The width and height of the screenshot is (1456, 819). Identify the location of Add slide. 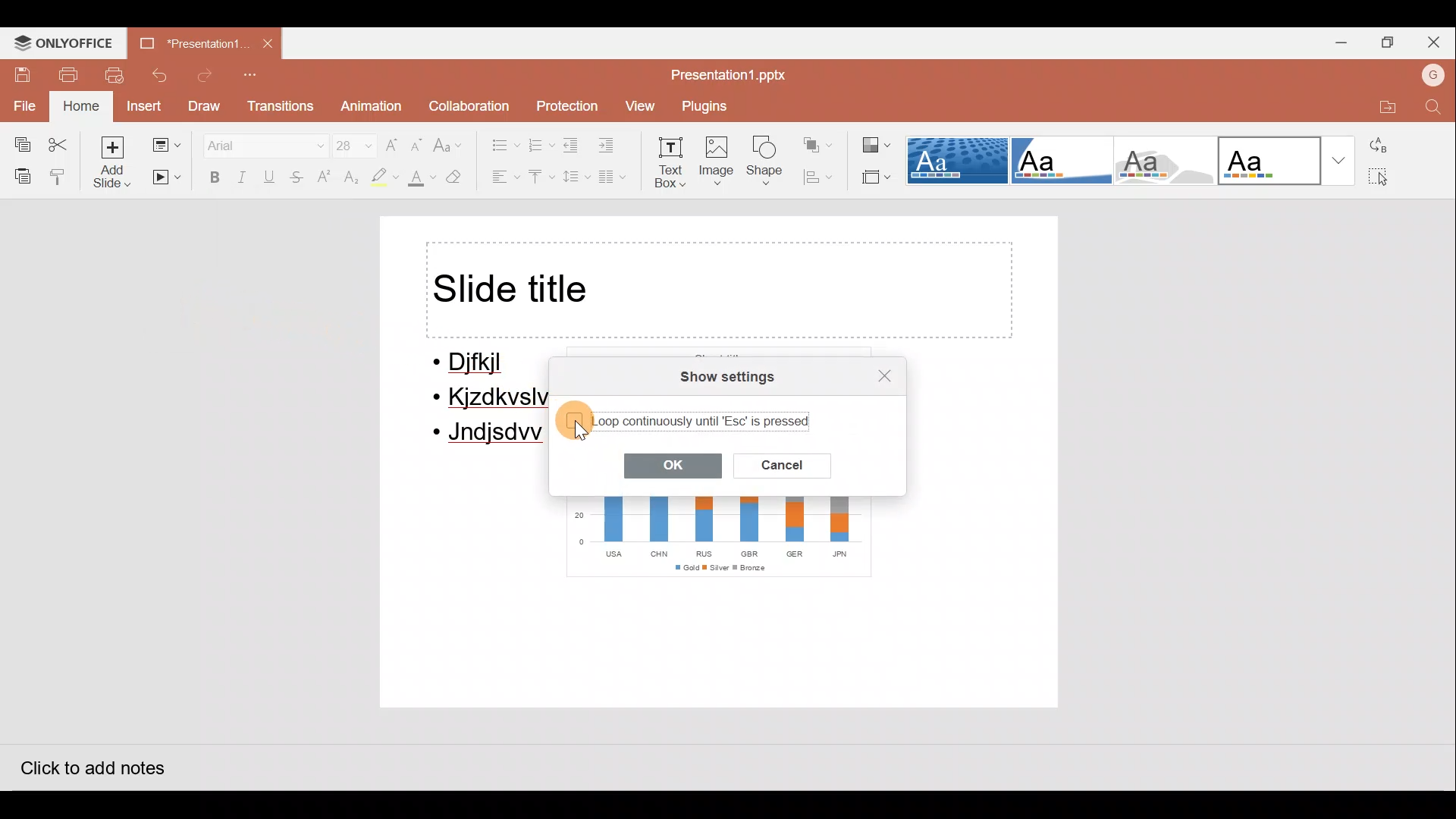
(115, 165).